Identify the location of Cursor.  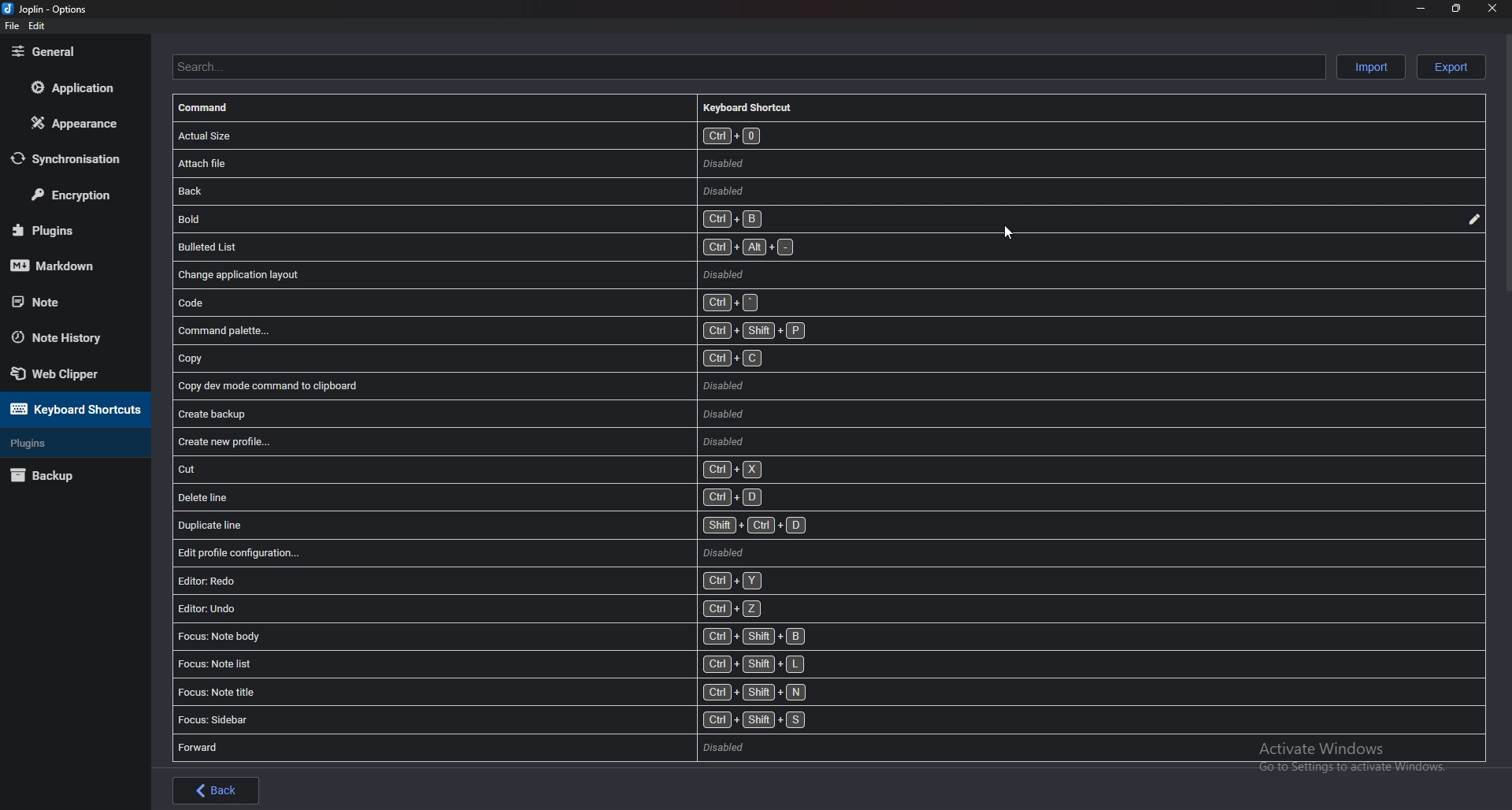
(1011, 232).